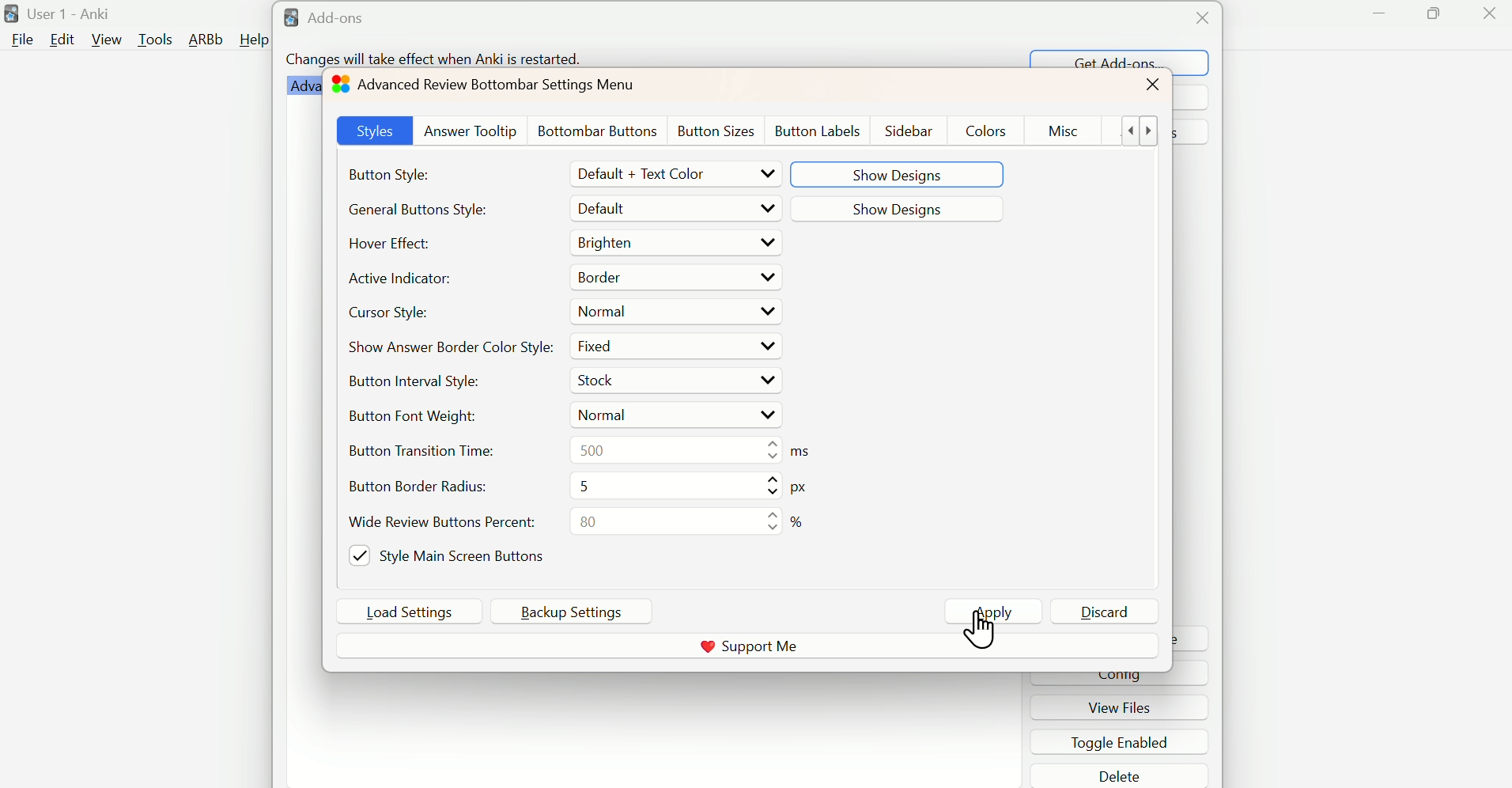 The height and width of the screenshot is (788, 1512). I want to click on Generate Button Styles, so click(421, 210).